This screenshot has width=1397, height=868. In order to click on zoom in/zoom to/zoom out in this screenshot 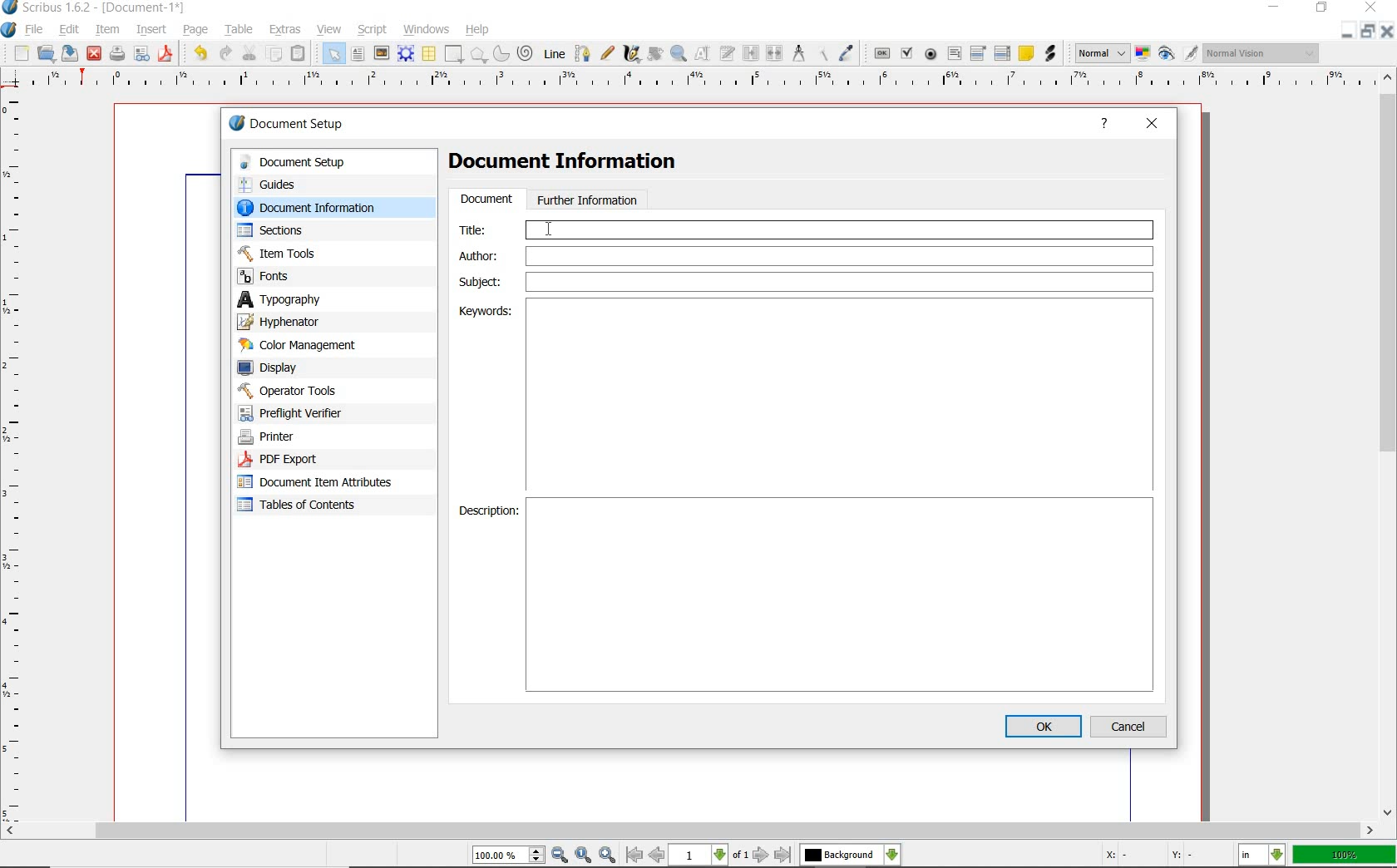, I will do `click(546, 855)`.